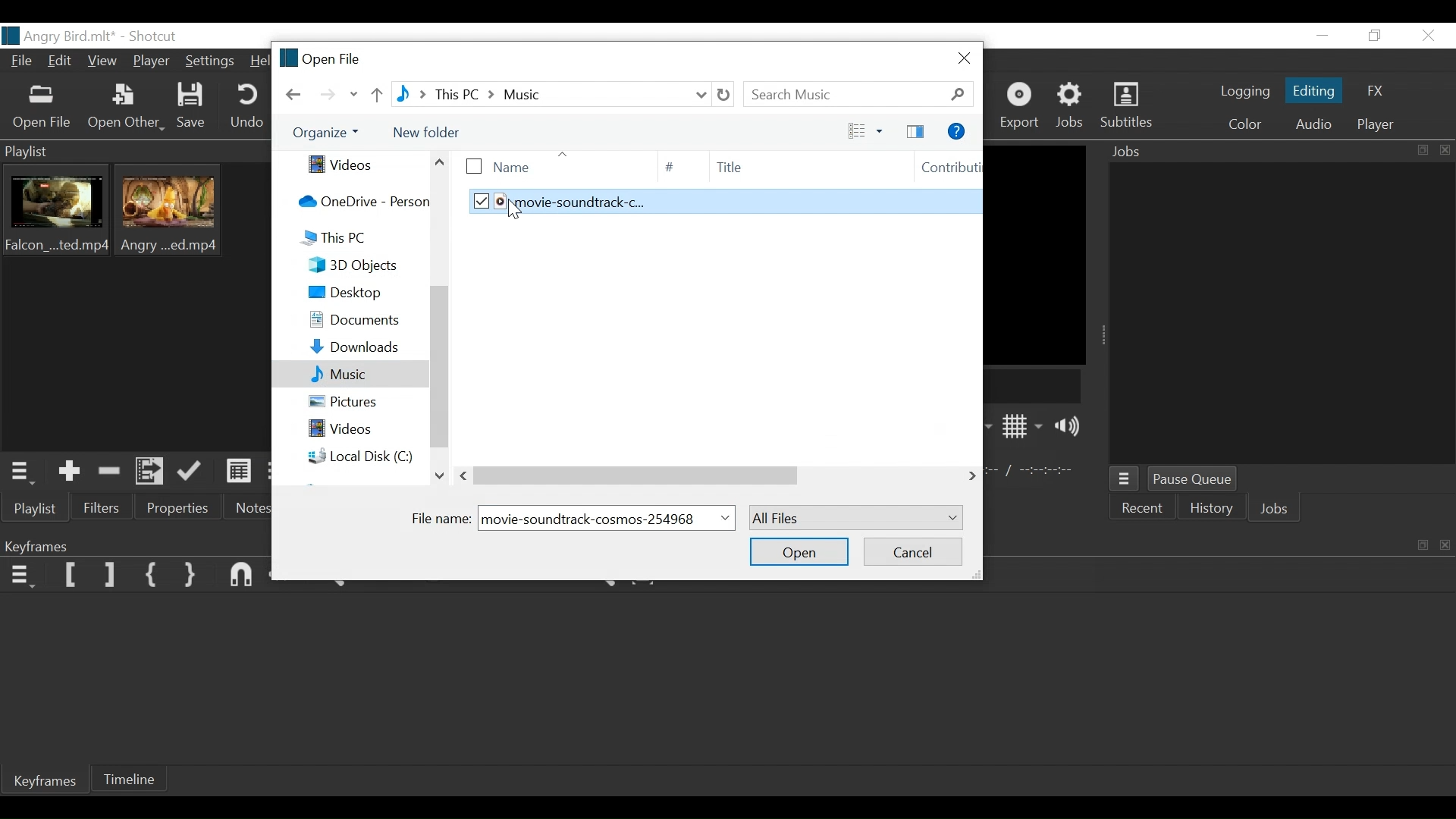  I want to click on Set First Simple Keyframe, so click(151, 573).